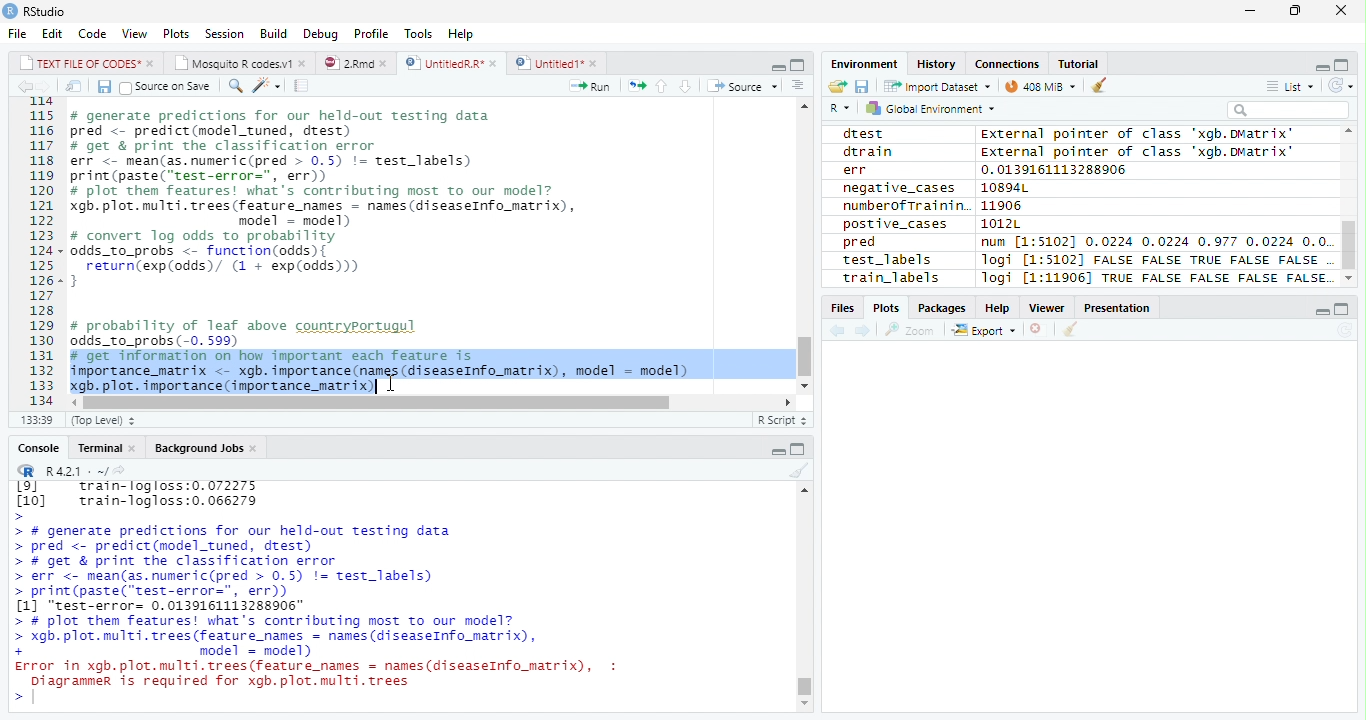 The height and width of the screenshot is (720, 1366). I want to click on Lol train-logloss:0.072275
[10]  train-logloss:0.066279, so click(138, 500).